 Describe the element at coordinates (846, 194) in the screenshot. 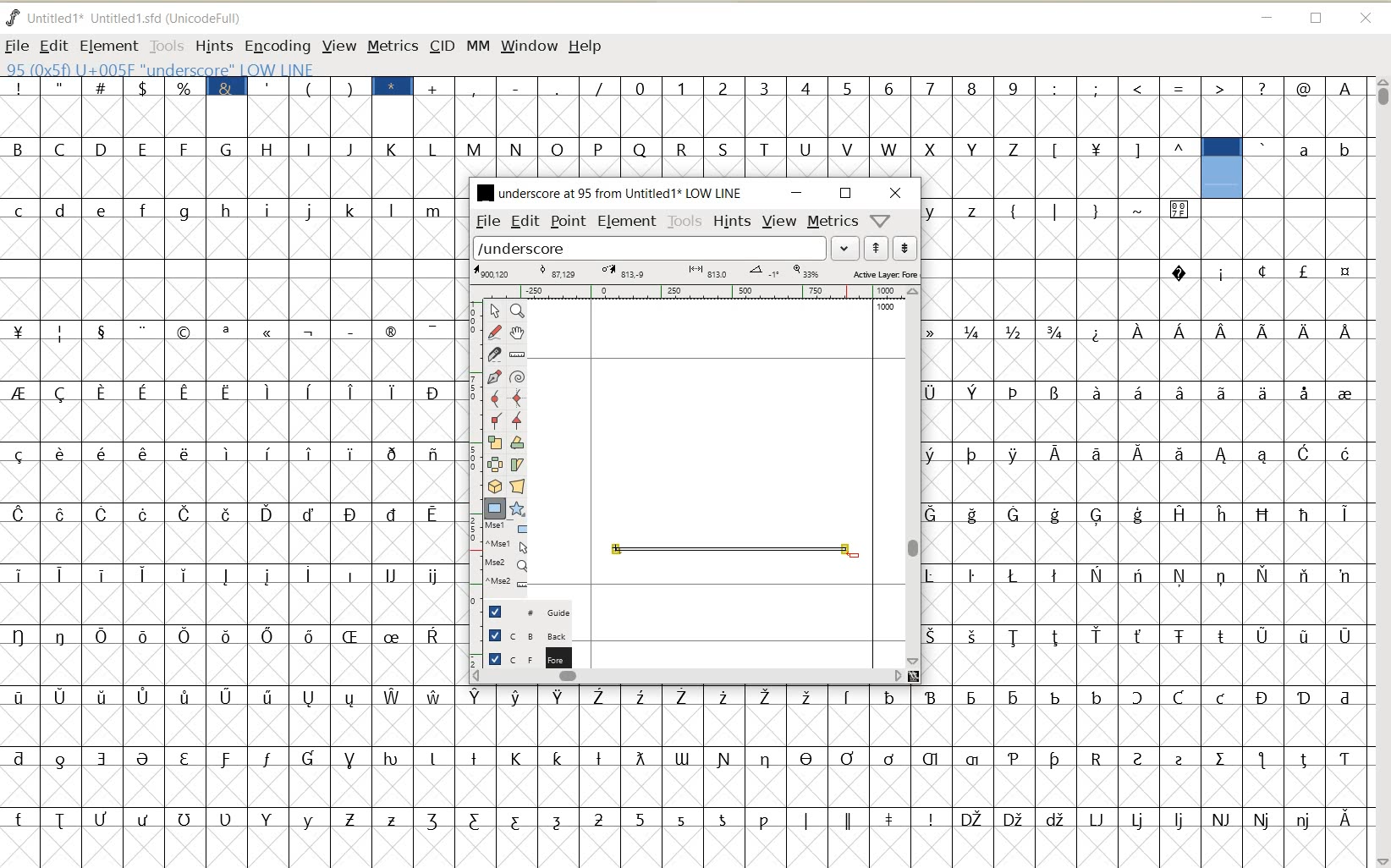

I see `RESTORE` at that location.